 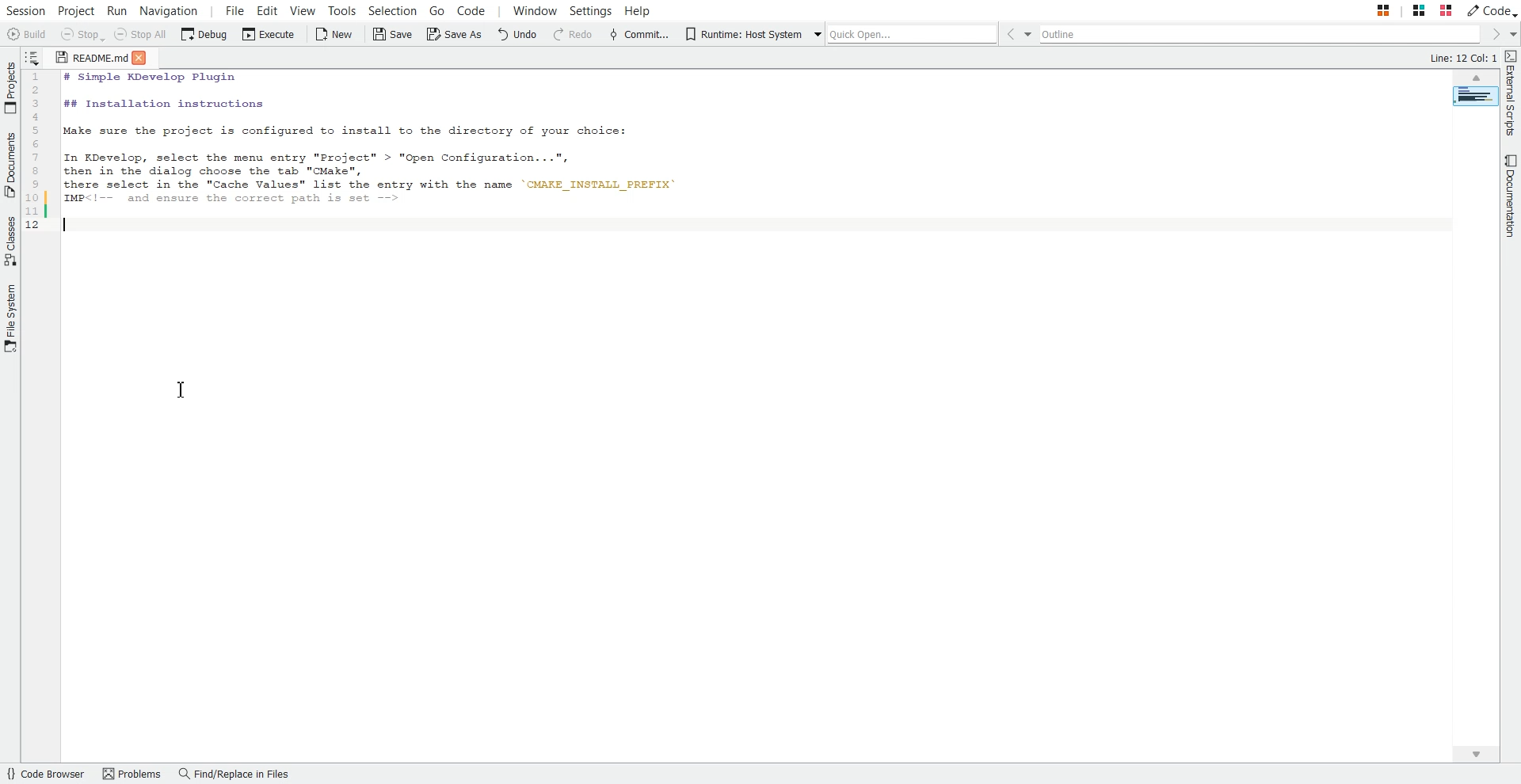 I want to click on Code, so click(x=1492, y=10).